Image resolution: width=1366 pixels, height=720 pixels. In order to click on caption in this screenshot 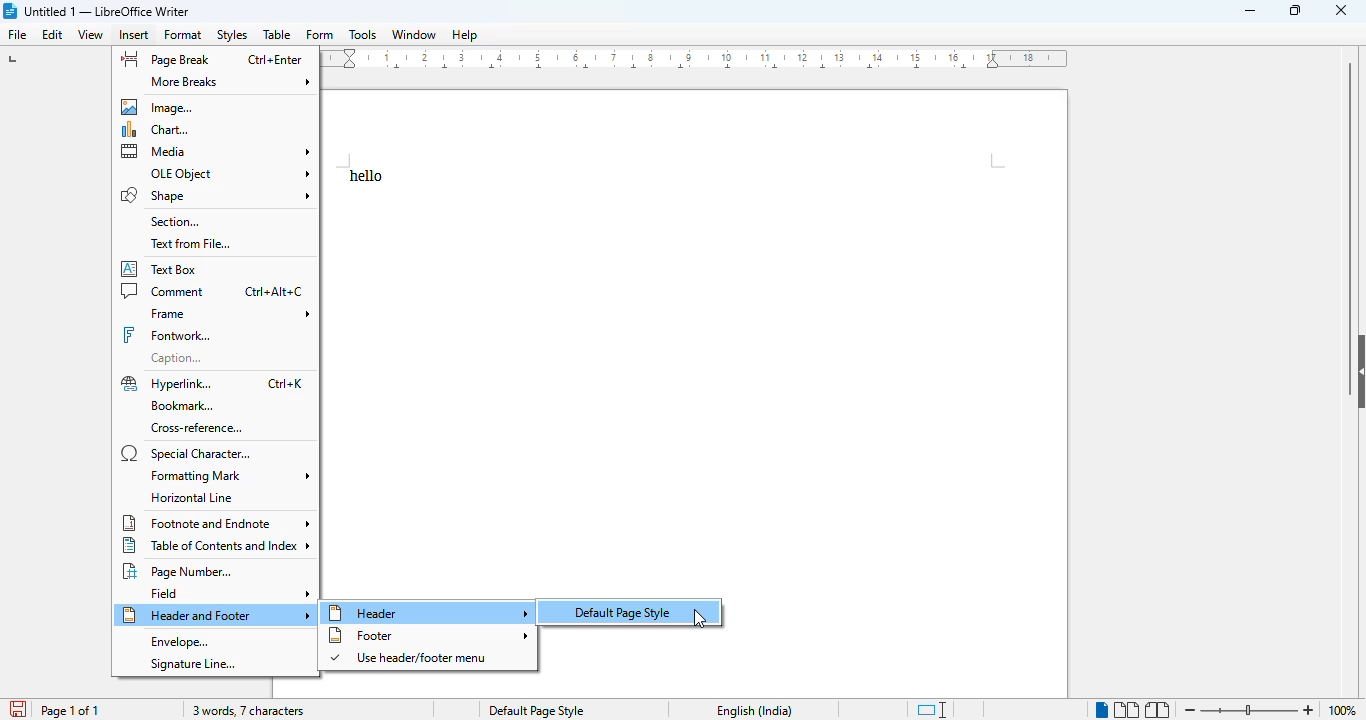, I will do `click(179, 358)`.